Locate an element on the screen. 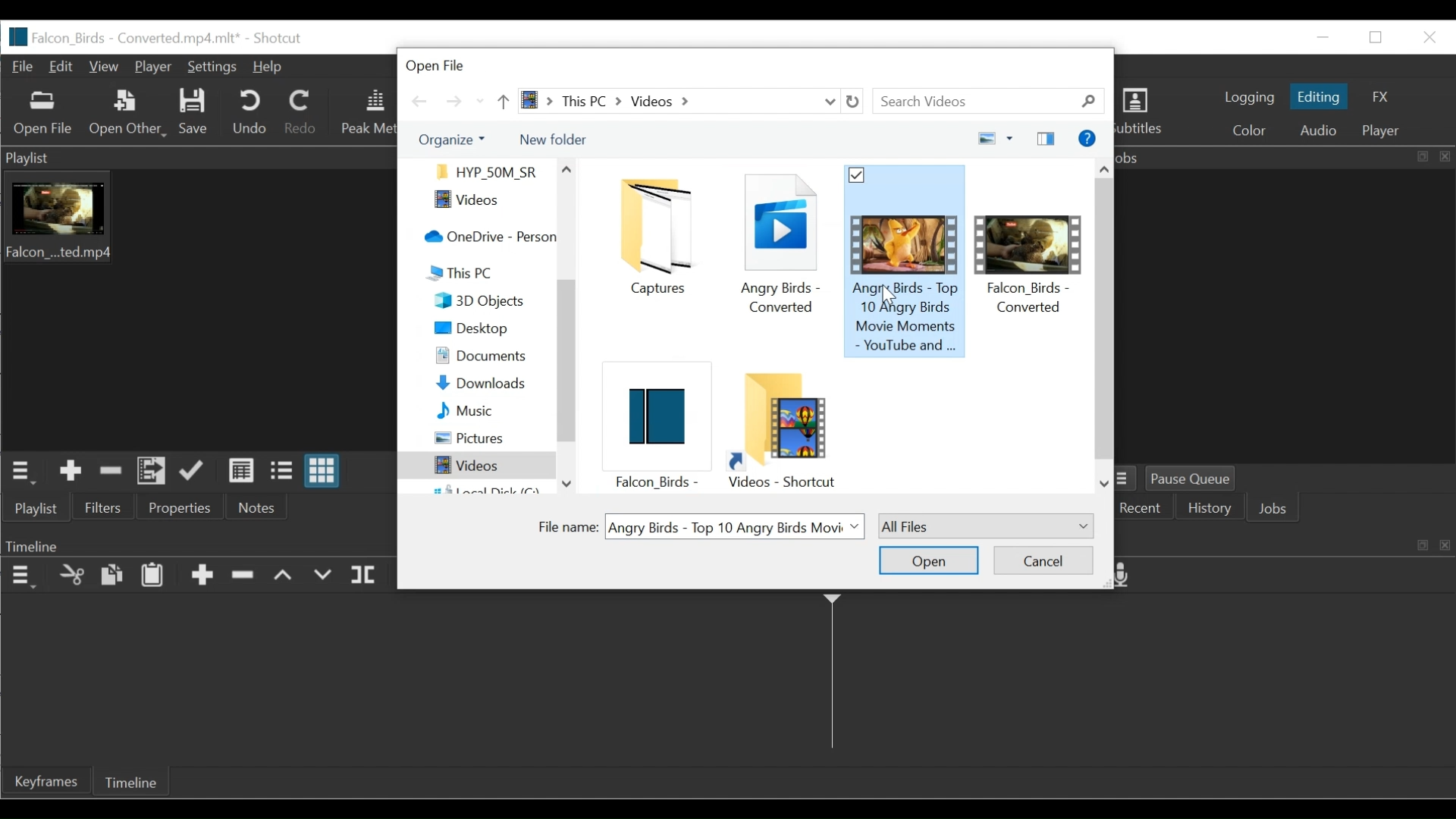 The height and width of the screenshot is (819, 1456). Recent is located at coordinates (480, 102).